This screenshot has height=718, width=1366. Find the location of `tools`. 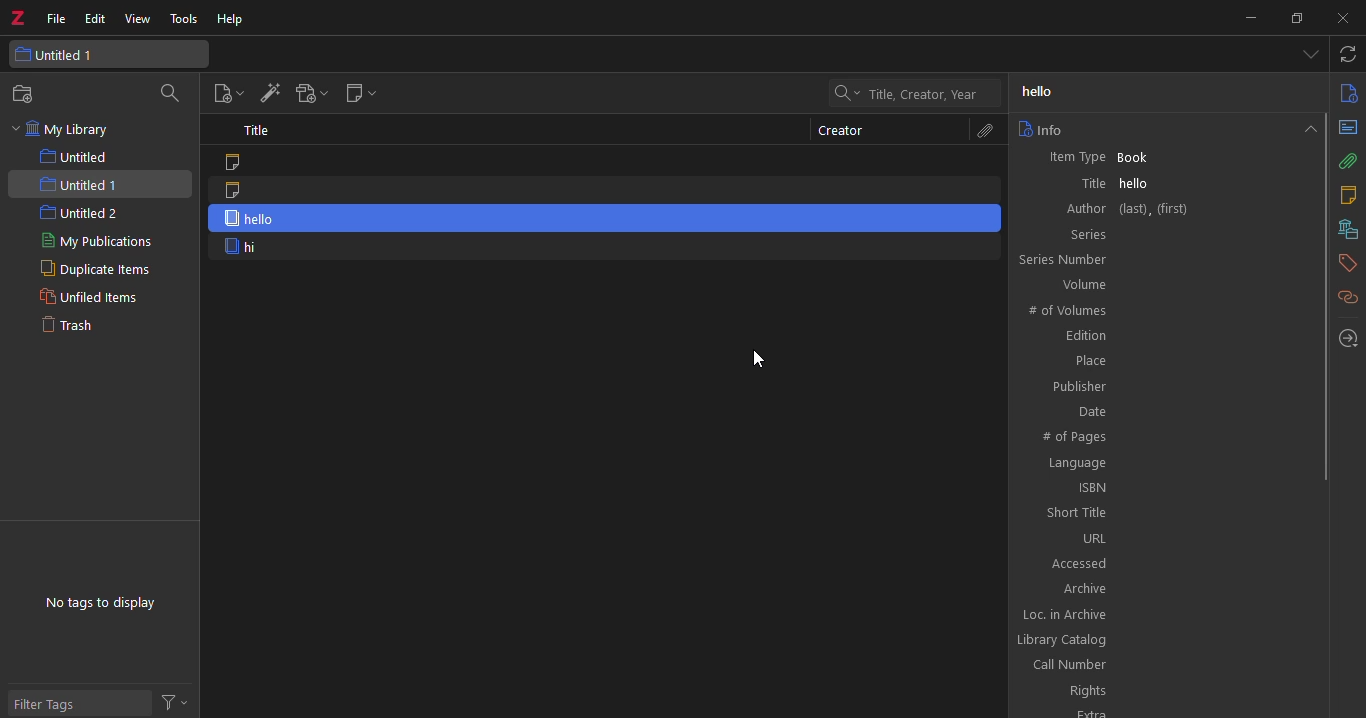

tools is located at coordinates (187, 20).